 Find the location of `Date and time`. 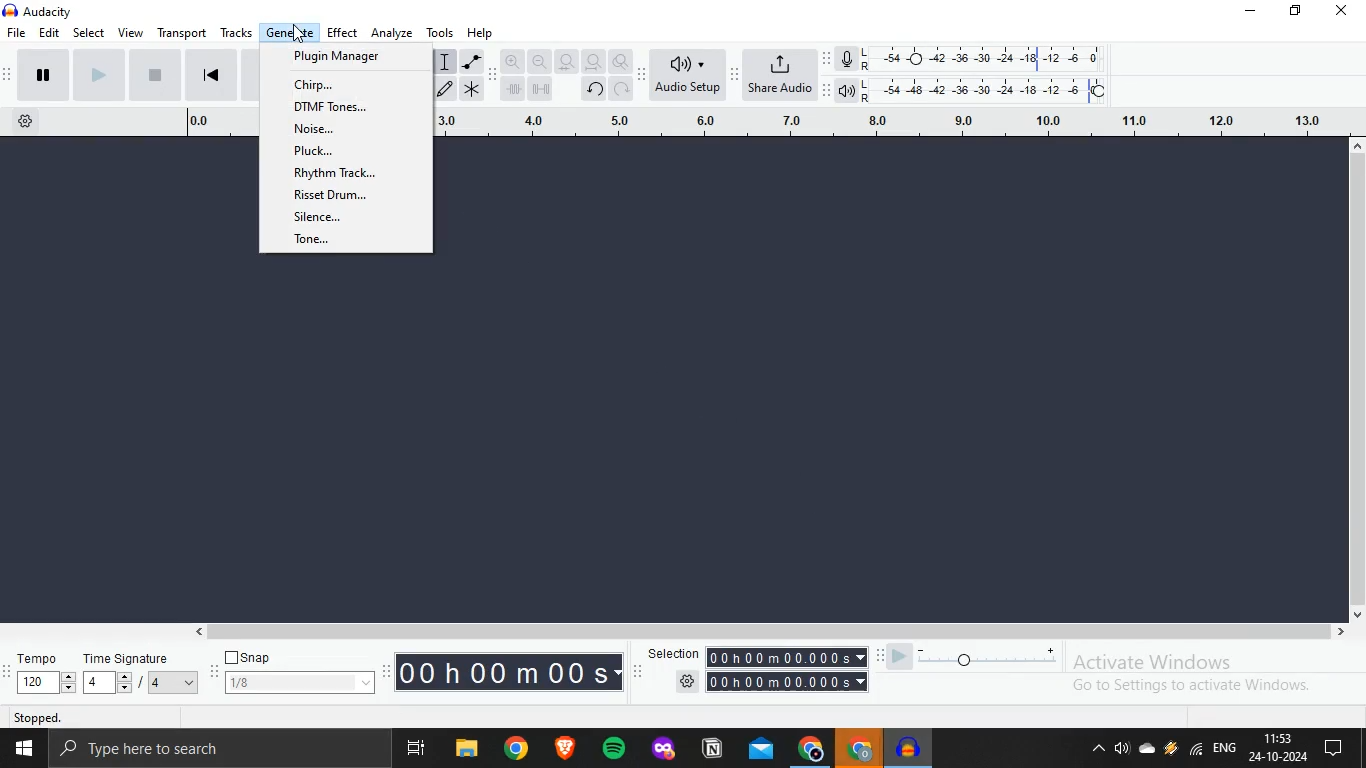

Date and time is located at coordinates (1280, 749).